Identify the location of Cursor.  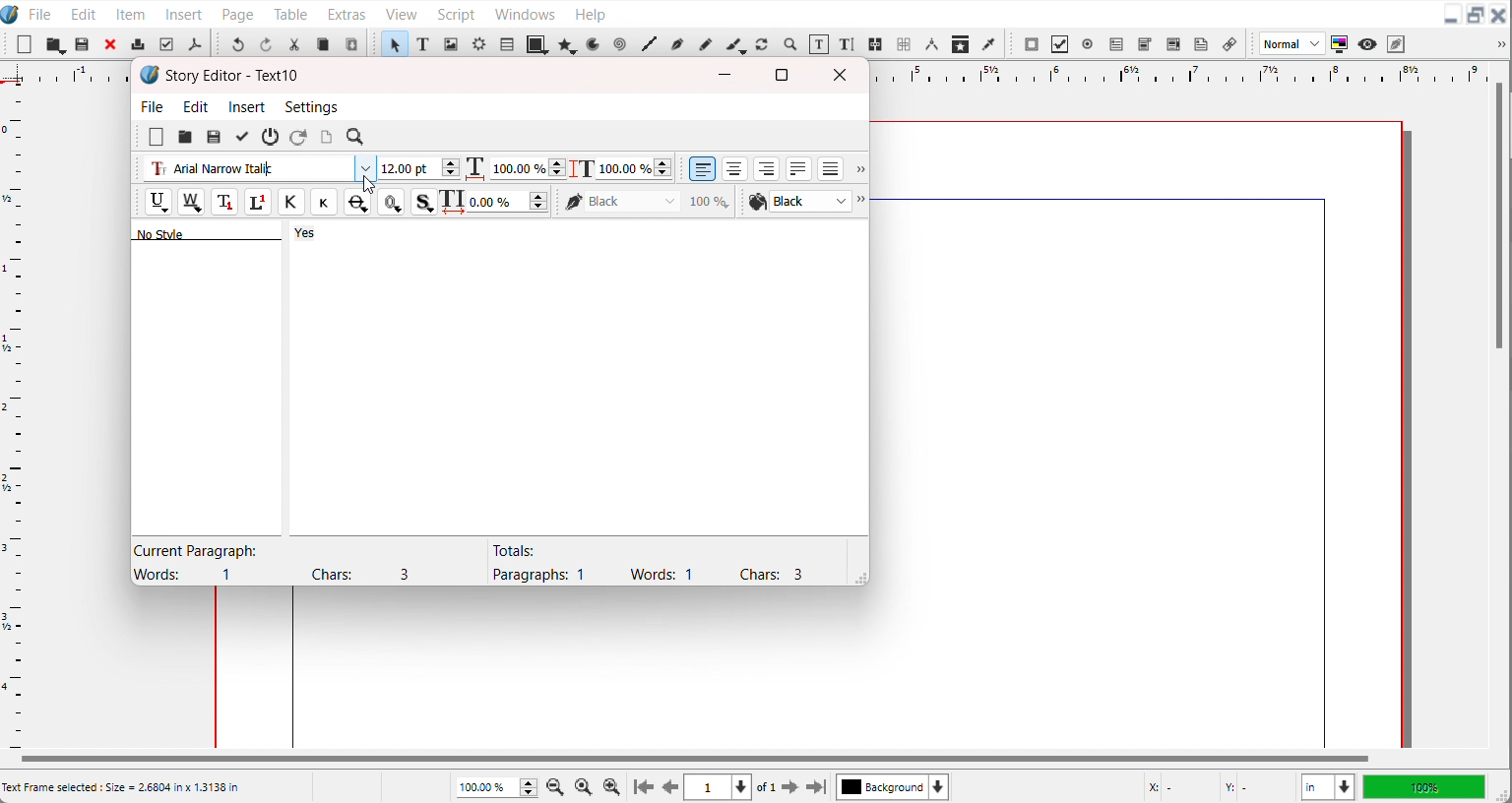
(368, 184).